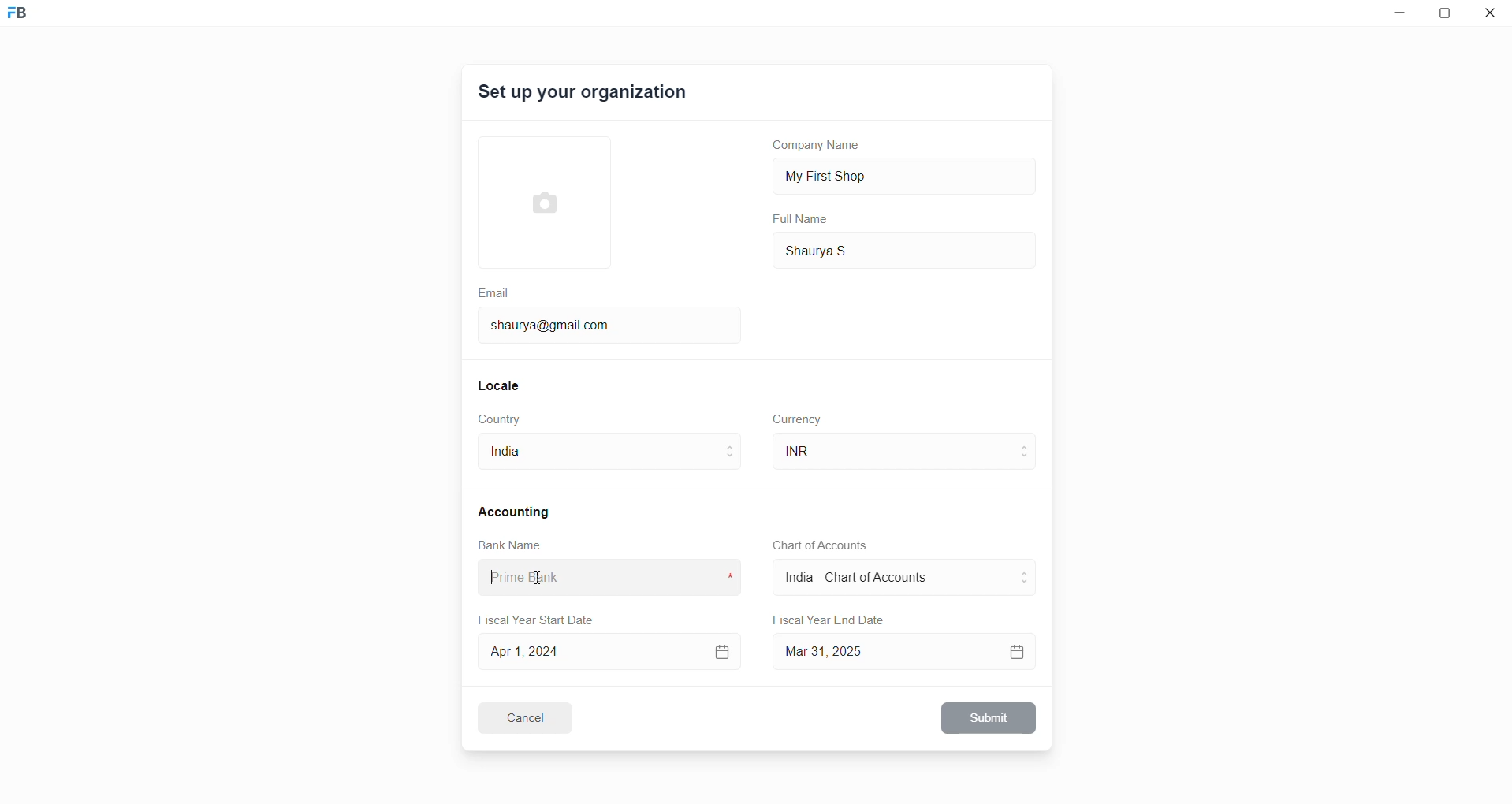 This screenshot has height=804, width=1512. Describe the element at coordinates (1028, 445) in the screenshot. I see `move to above curreny` at that location.